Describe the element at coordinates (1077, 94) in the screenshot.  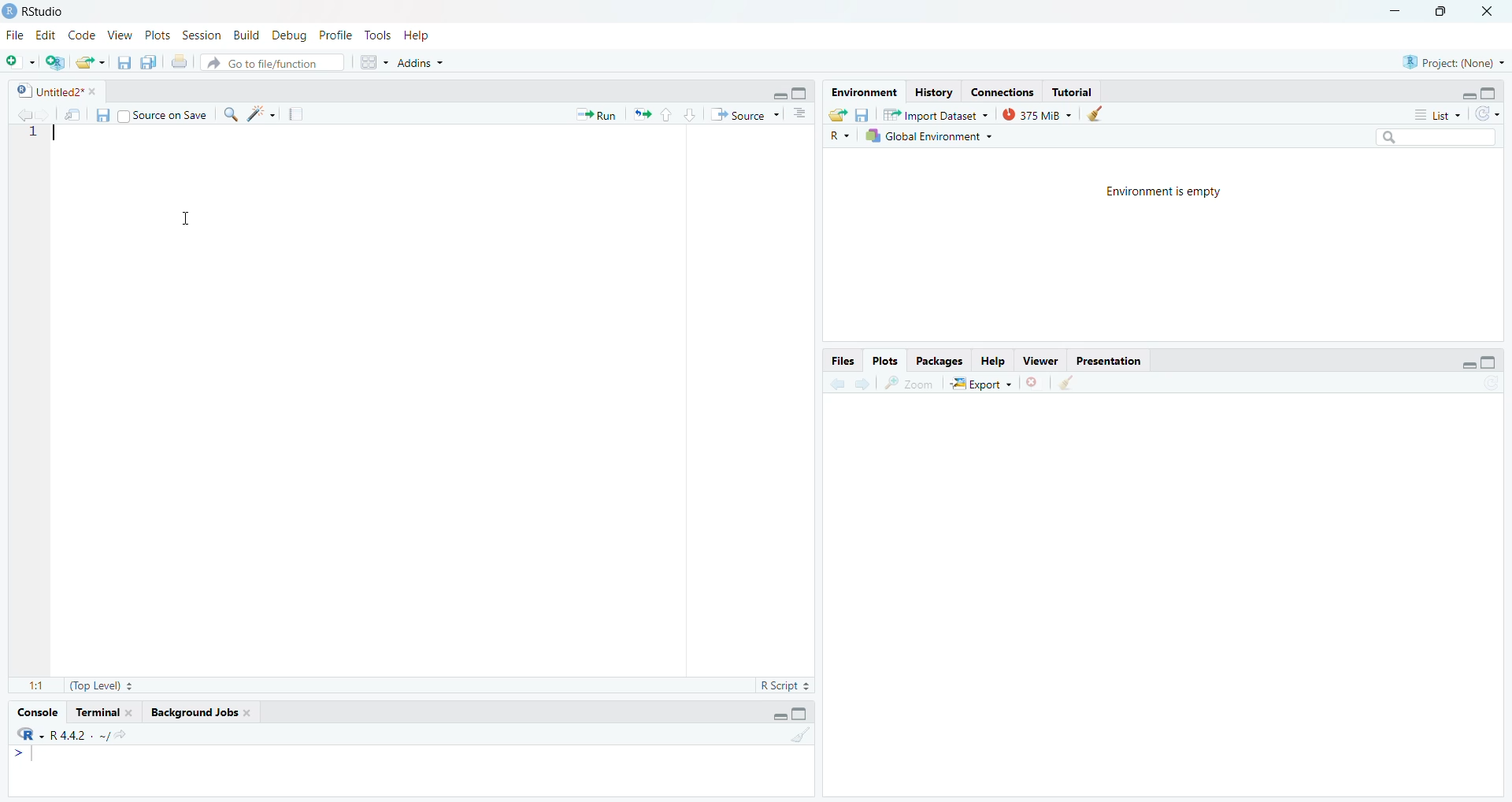
I see `Tutorial` at that location.